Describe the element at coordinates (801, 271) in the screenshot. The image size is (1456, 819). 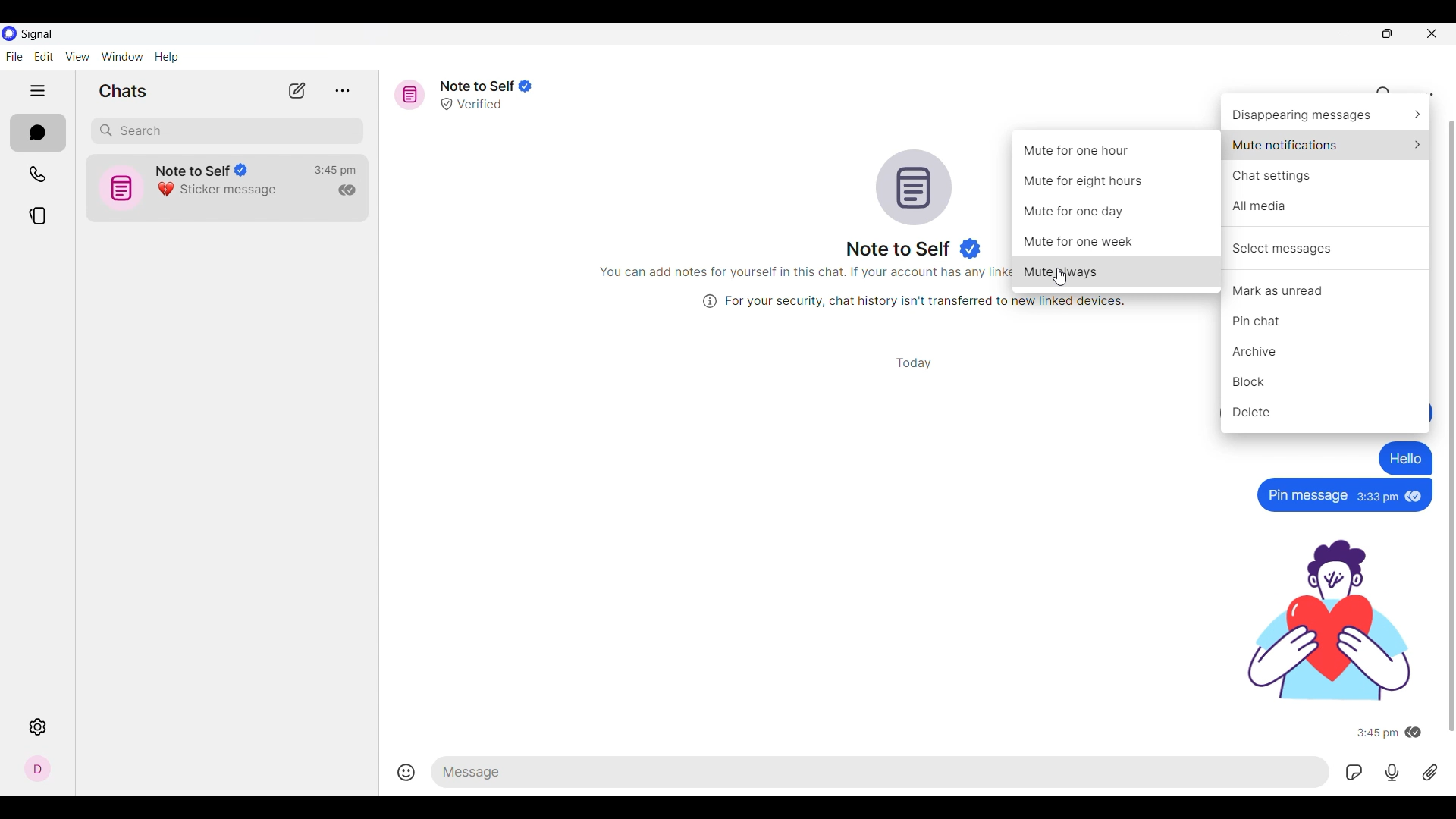
I see `You can add notes for yourself in this chat. If your account has any linke` at that location.